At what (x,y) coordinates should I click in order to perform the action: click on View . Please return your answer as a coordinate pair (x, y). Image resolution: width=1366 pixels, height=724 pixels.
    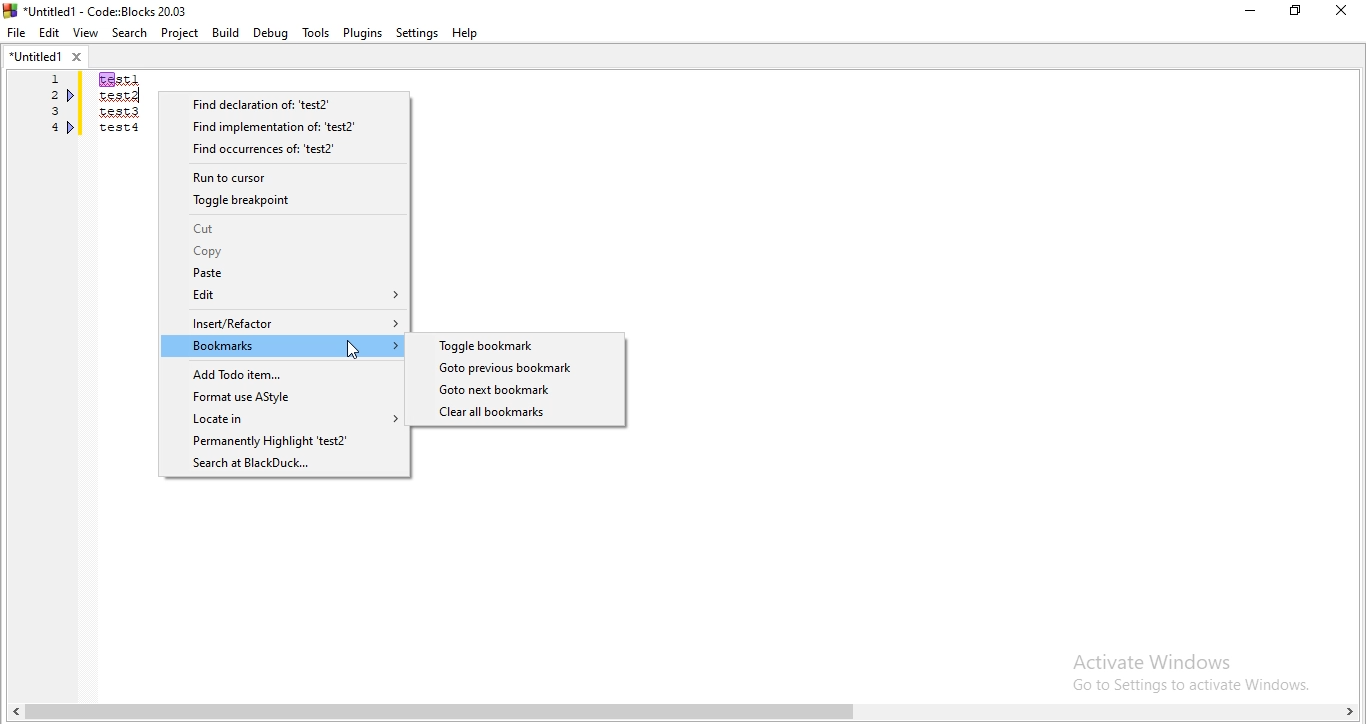
    Looking at the image, I should click on (85, 30).